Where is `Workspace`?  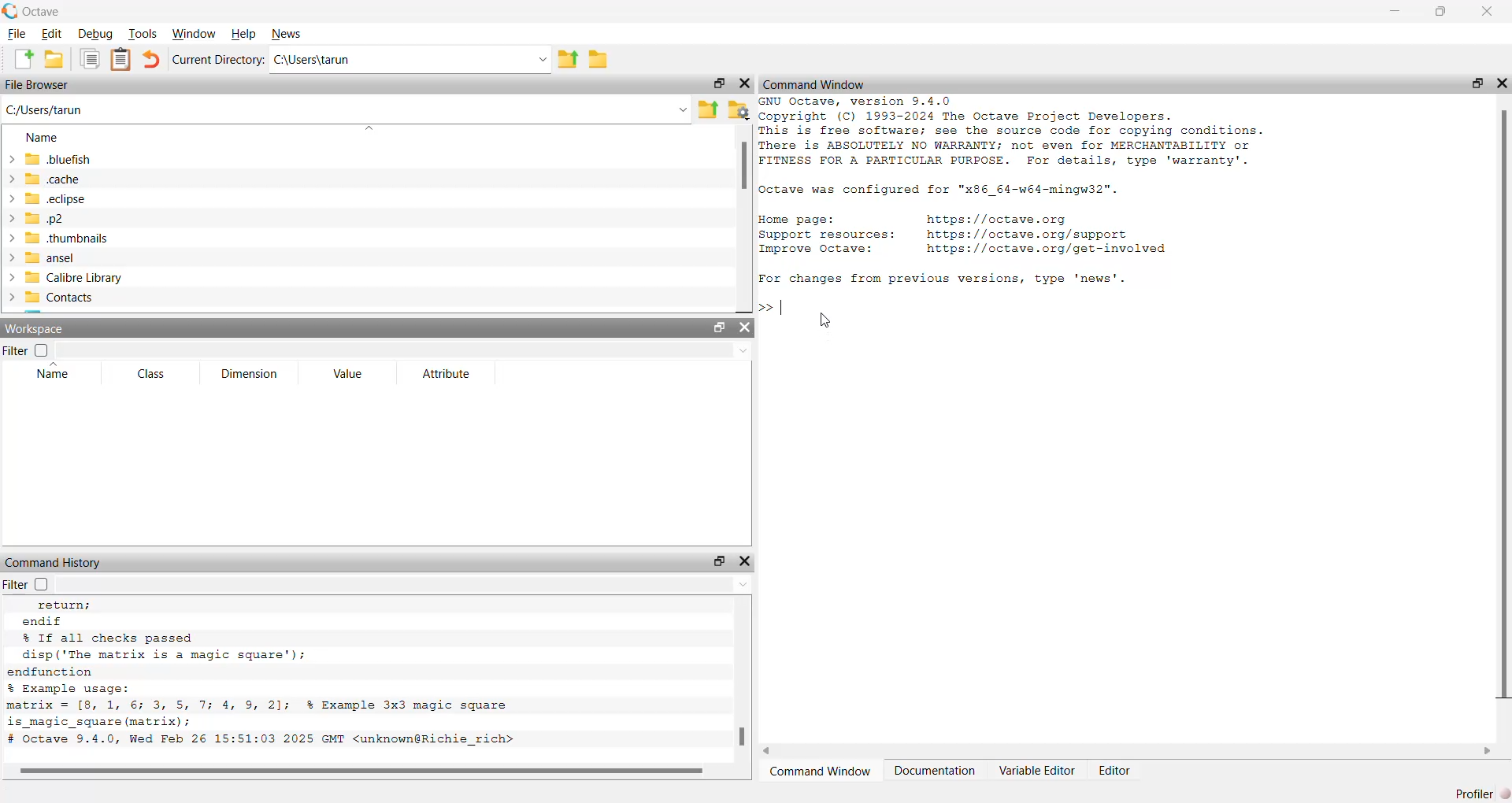
Workspace is located at coordinates (37, 329).